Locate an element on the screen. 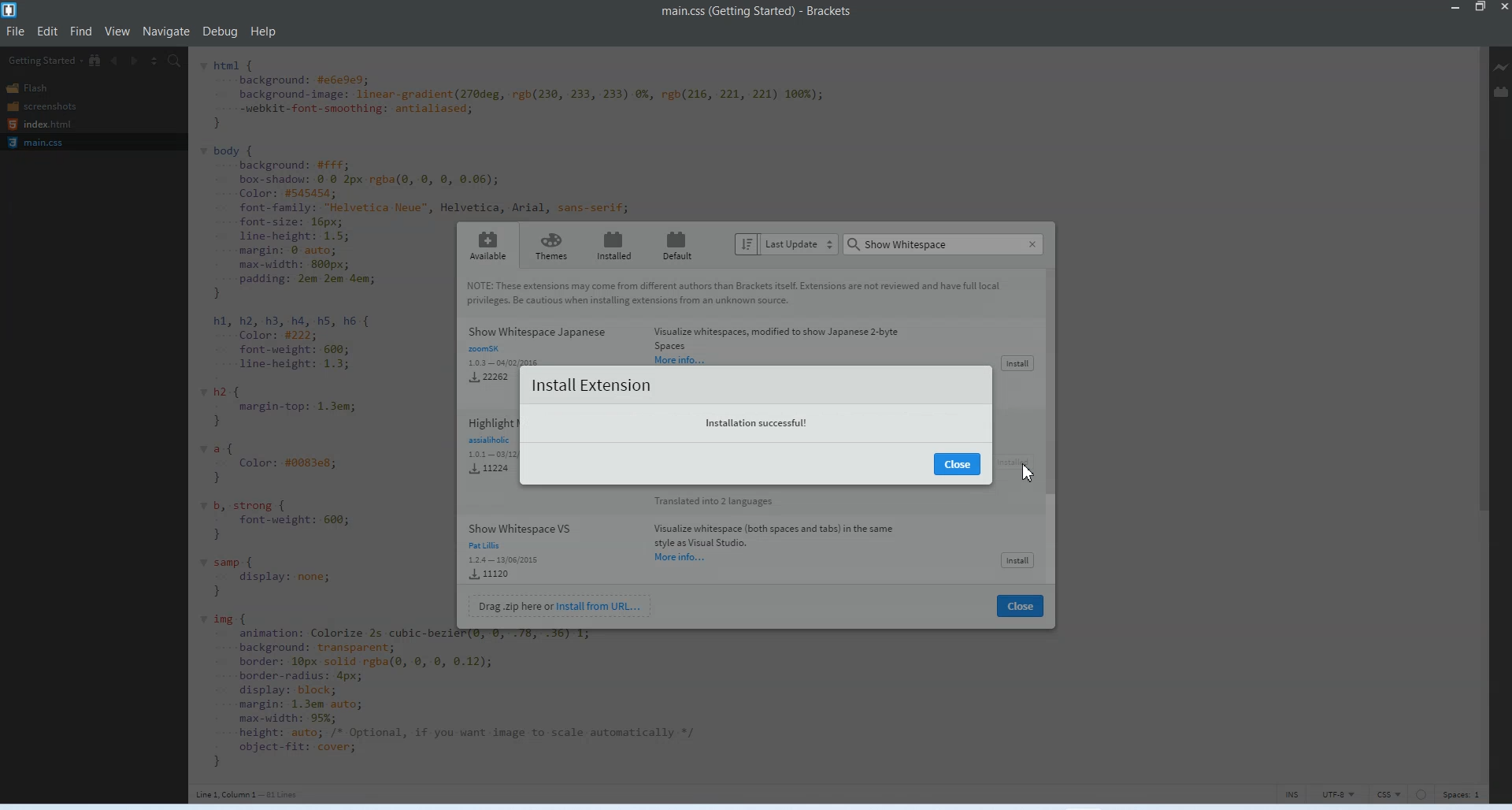  UTF-8 is located at coordinates (1337, 794).